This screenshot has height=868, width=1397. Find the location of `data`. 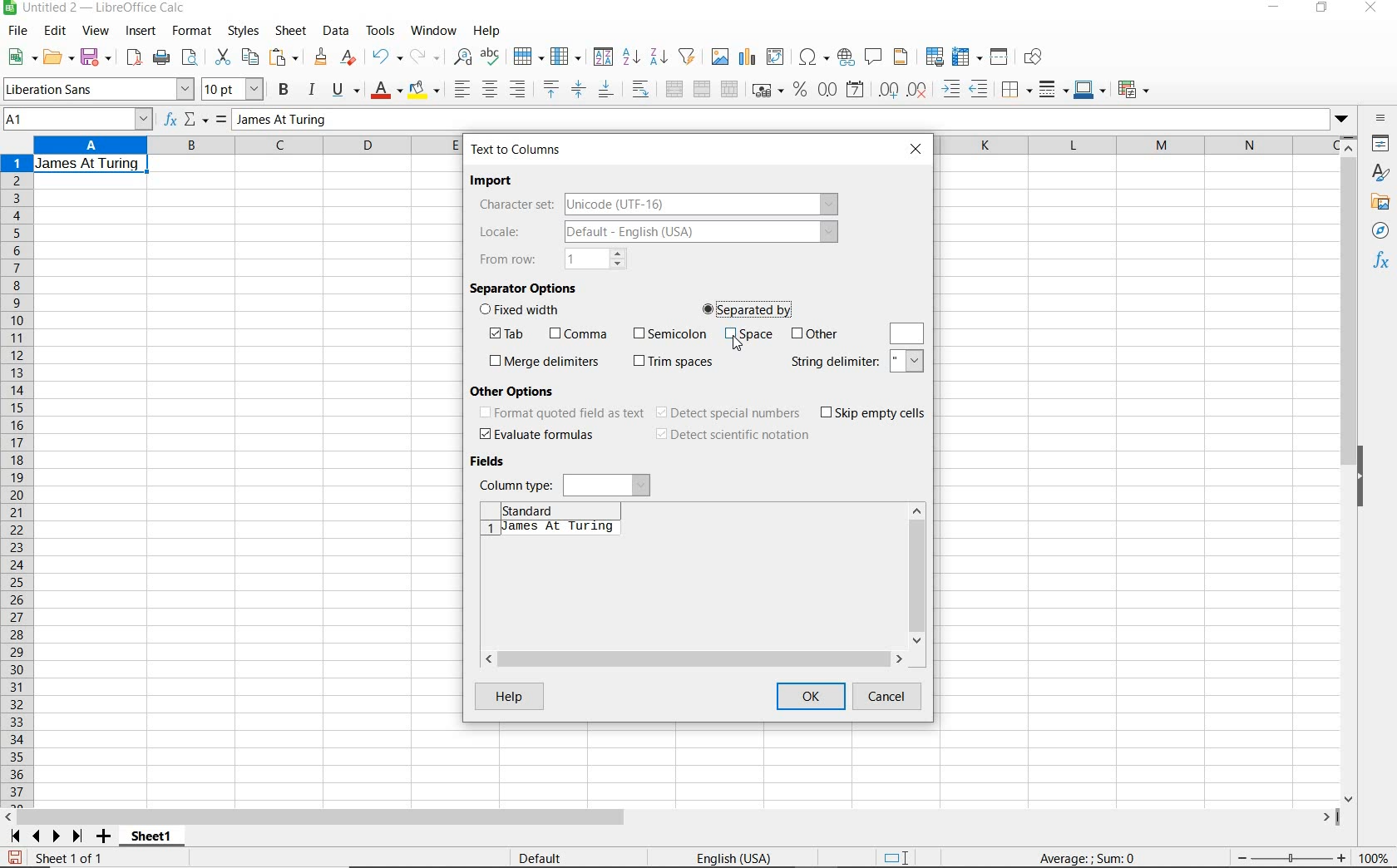

data is located at coordinates (337, 31).